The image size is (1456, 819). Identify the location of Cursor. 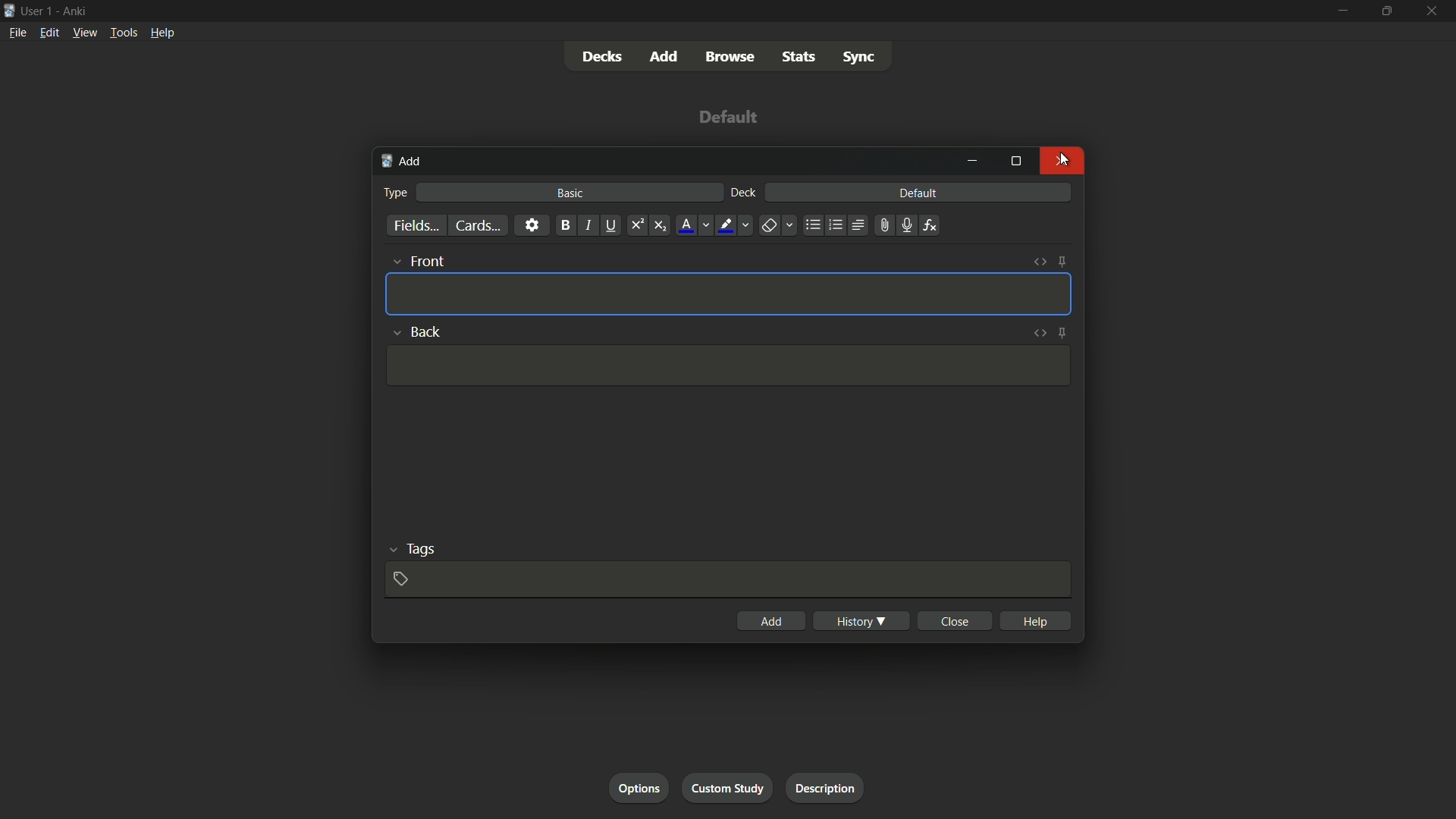
(1067, 160).